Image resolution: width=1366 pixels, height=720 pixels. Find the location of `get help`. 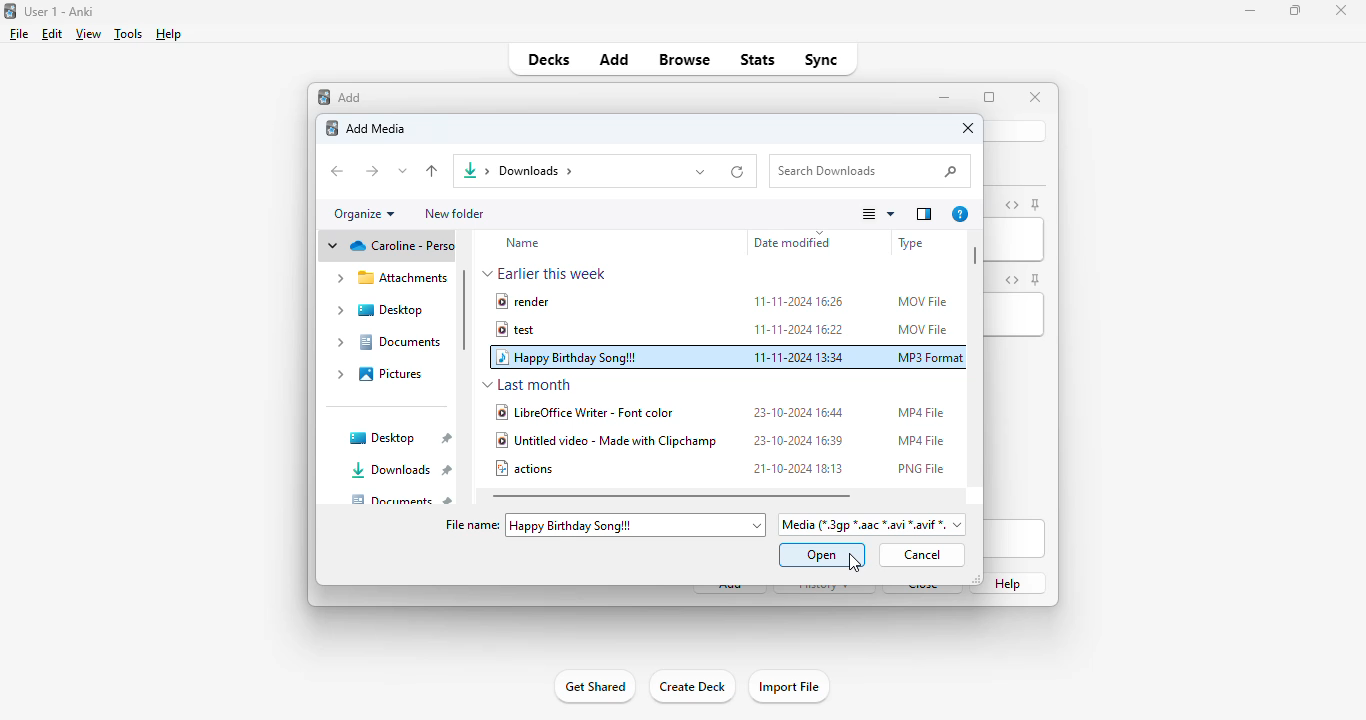

get help is located at coordinates (960, 214).